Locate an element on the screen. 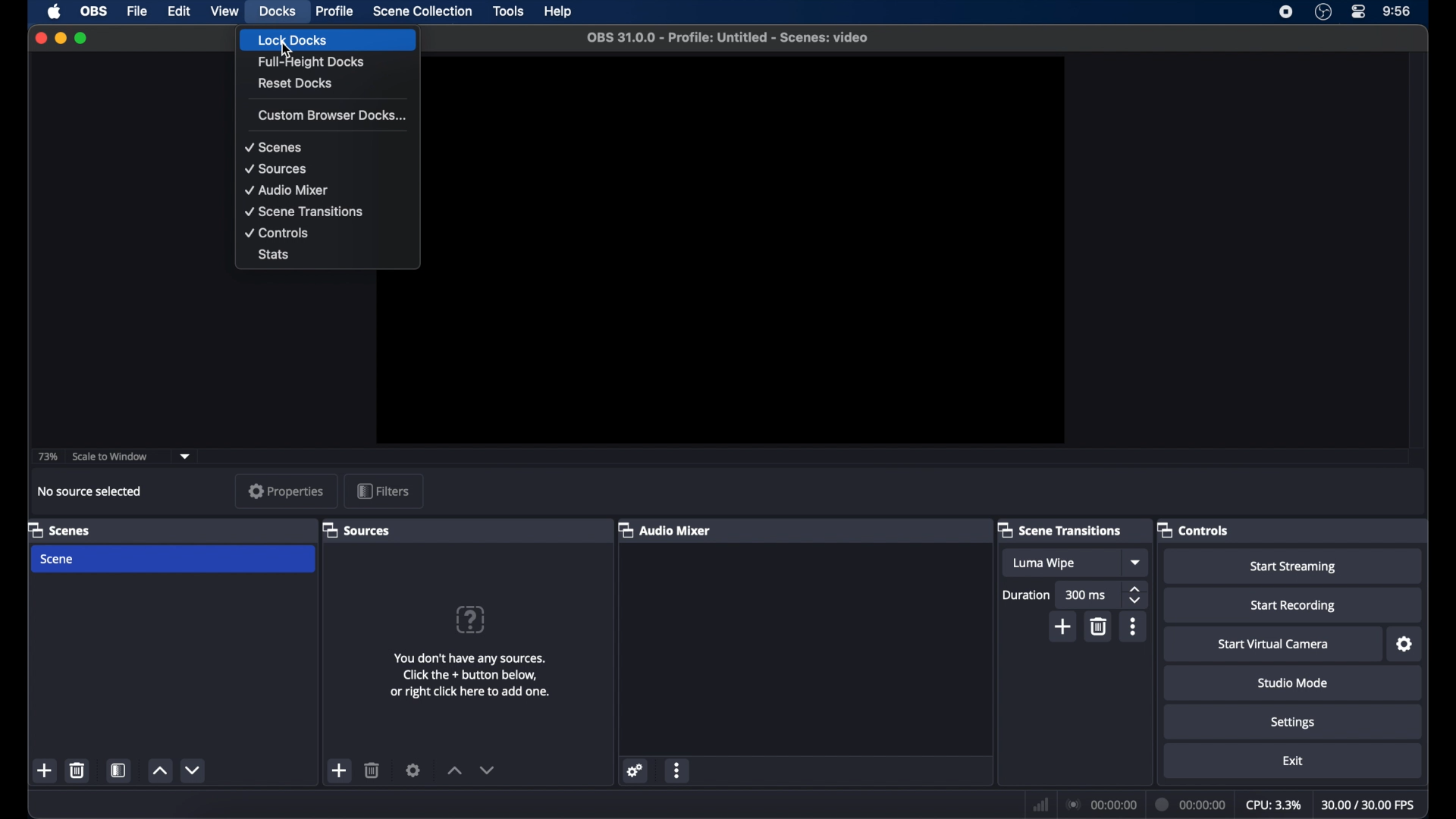 Image resolution: width=1456 pixels, height=819 pixels. add sources information is located at coordinates (470, 675).